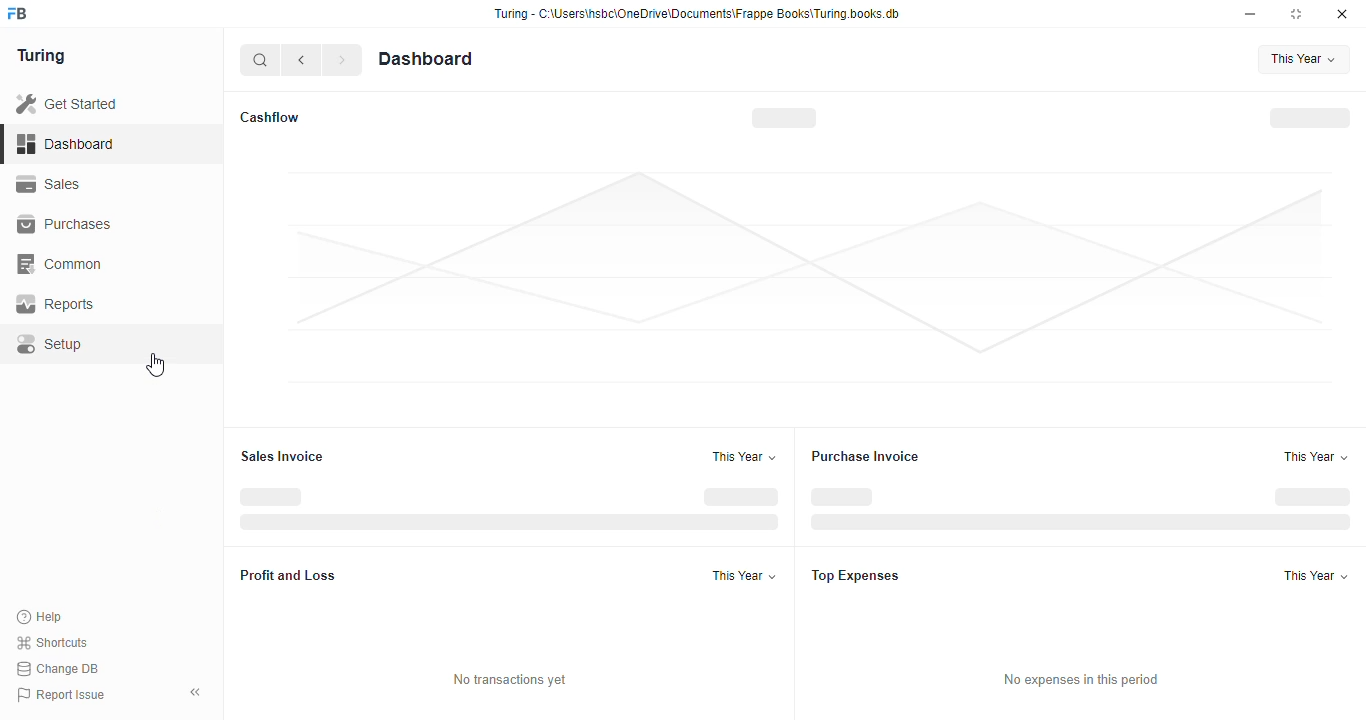 The image size is (1366, 720). Describe the element at coordinates (40, 616) in the screenshot. I see `help` at that location.